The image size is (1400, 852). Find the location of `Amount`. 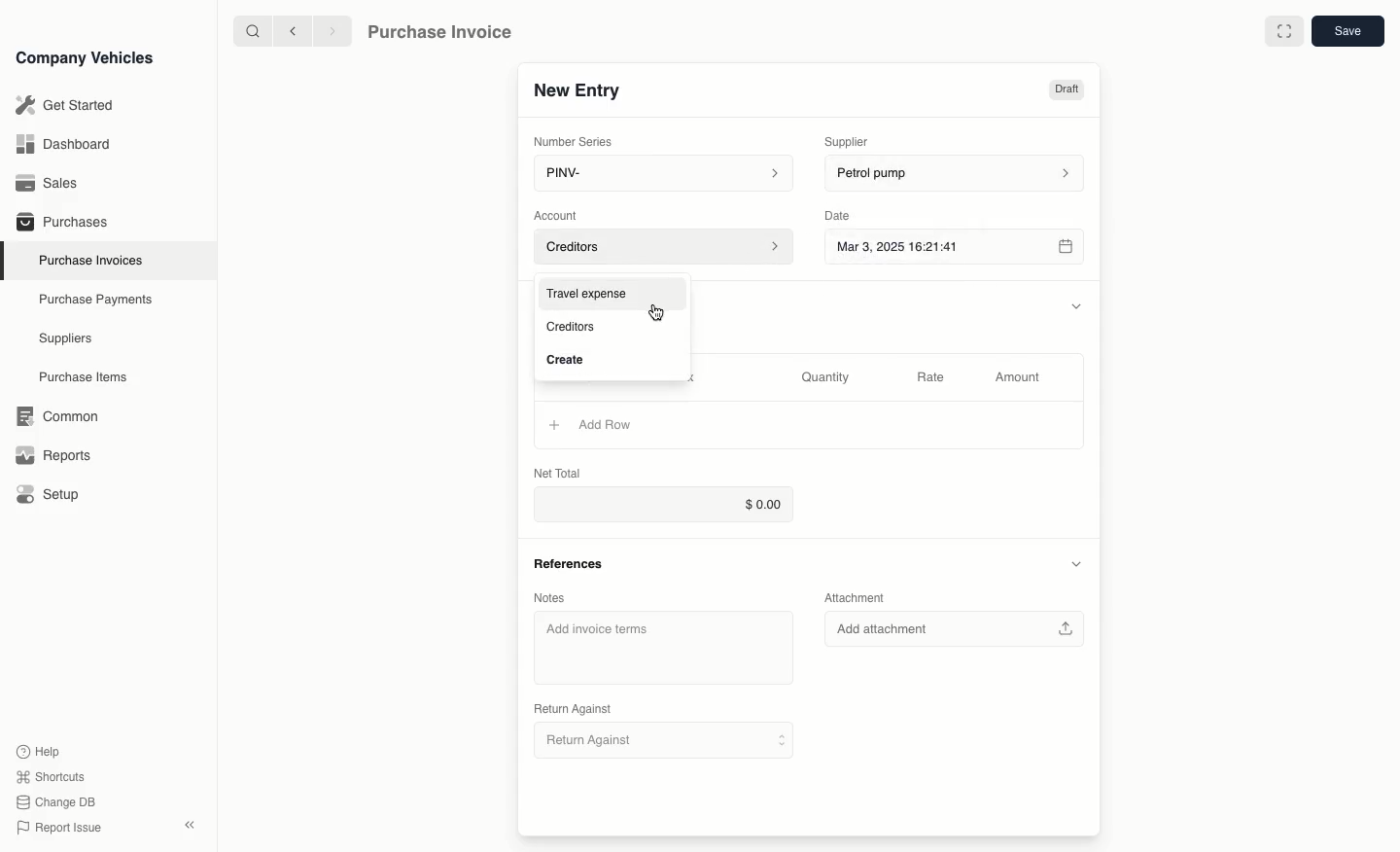

Amount is located at coordinates (1022, 377).